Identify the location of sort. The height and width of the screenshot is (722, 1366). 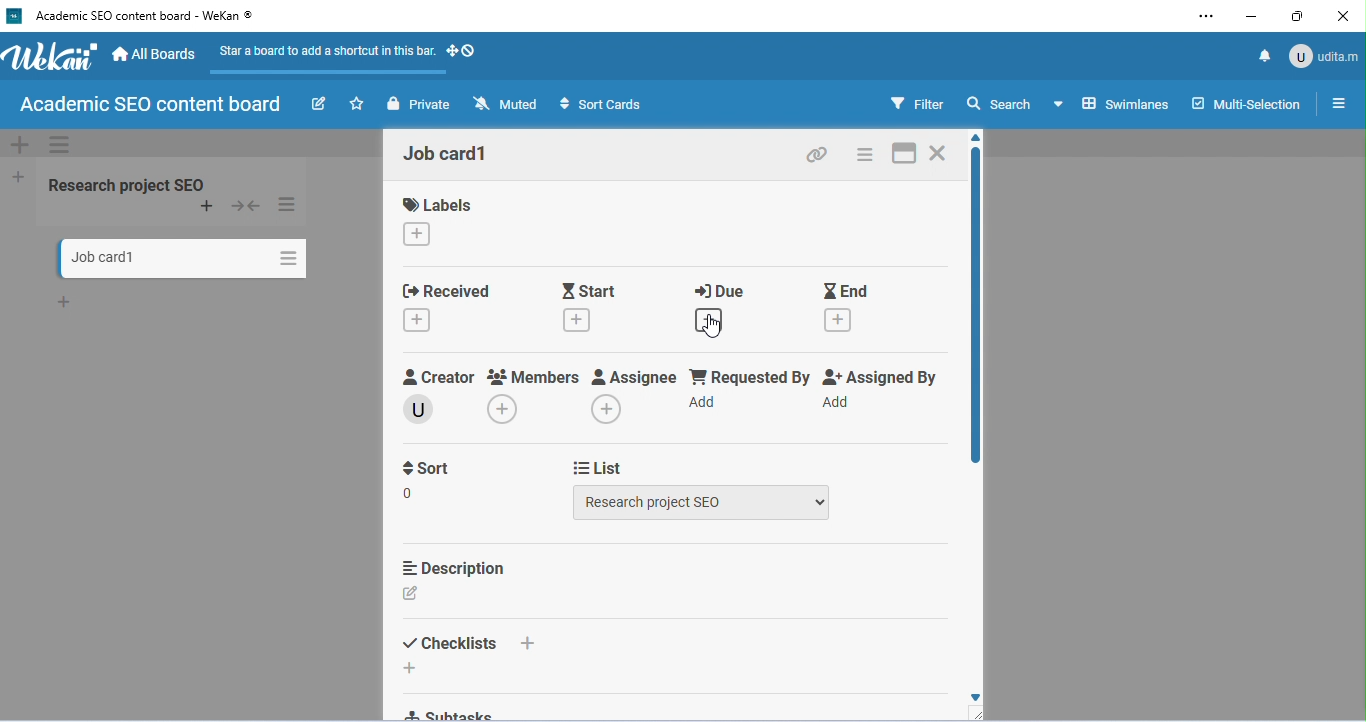
(425, 470).